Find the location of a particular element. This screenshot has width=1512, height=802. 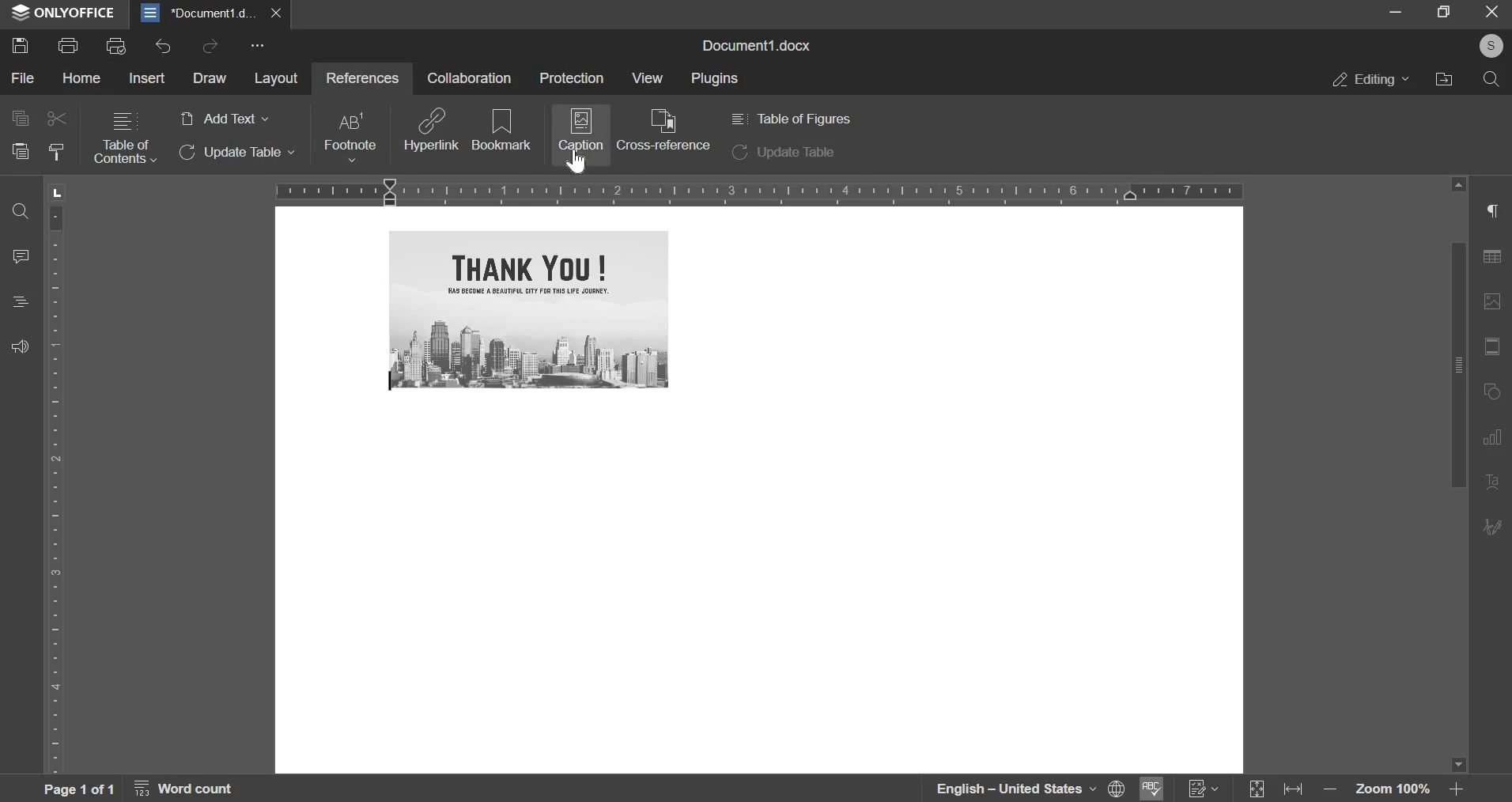

document1.docx is located at coordinates (760, 44).